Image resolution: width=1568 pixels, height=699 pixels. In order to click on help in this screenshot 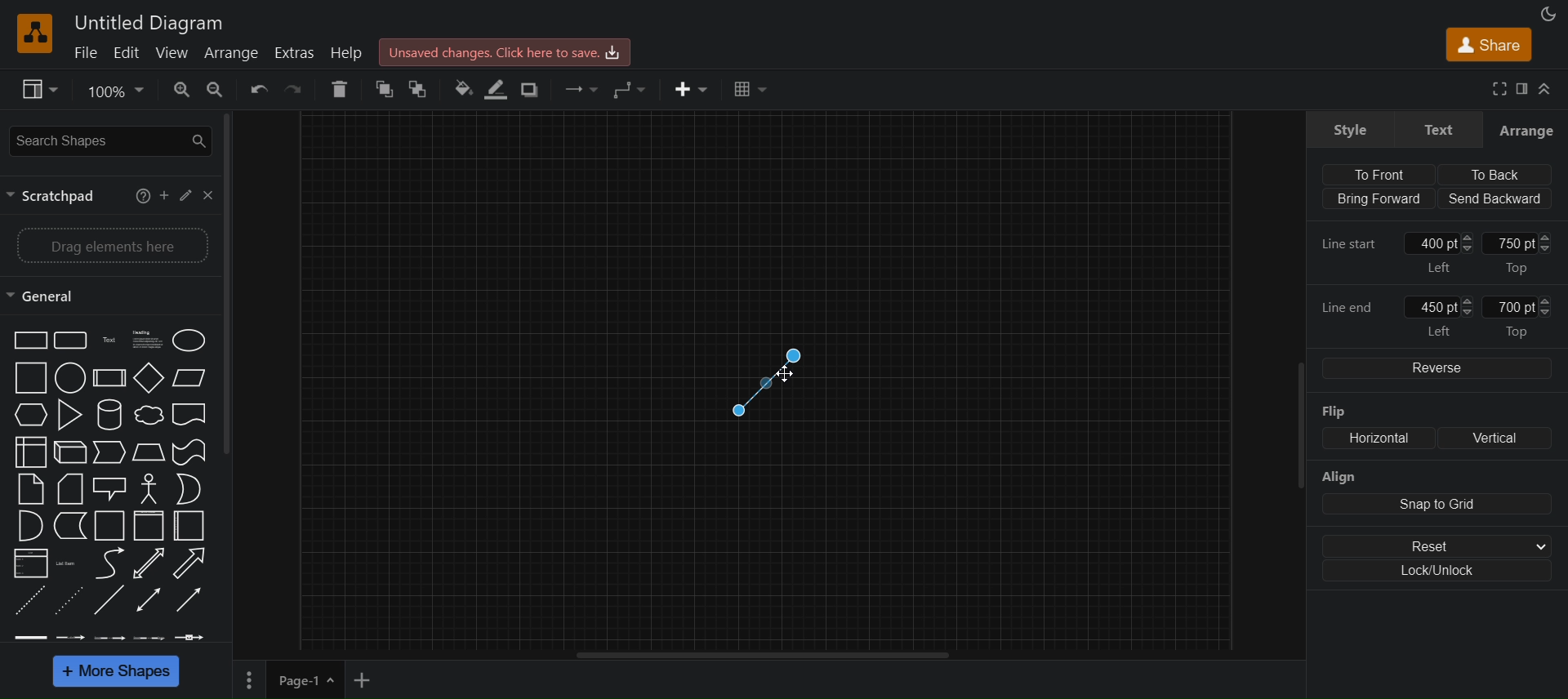, I will do `click(137, 194)`.